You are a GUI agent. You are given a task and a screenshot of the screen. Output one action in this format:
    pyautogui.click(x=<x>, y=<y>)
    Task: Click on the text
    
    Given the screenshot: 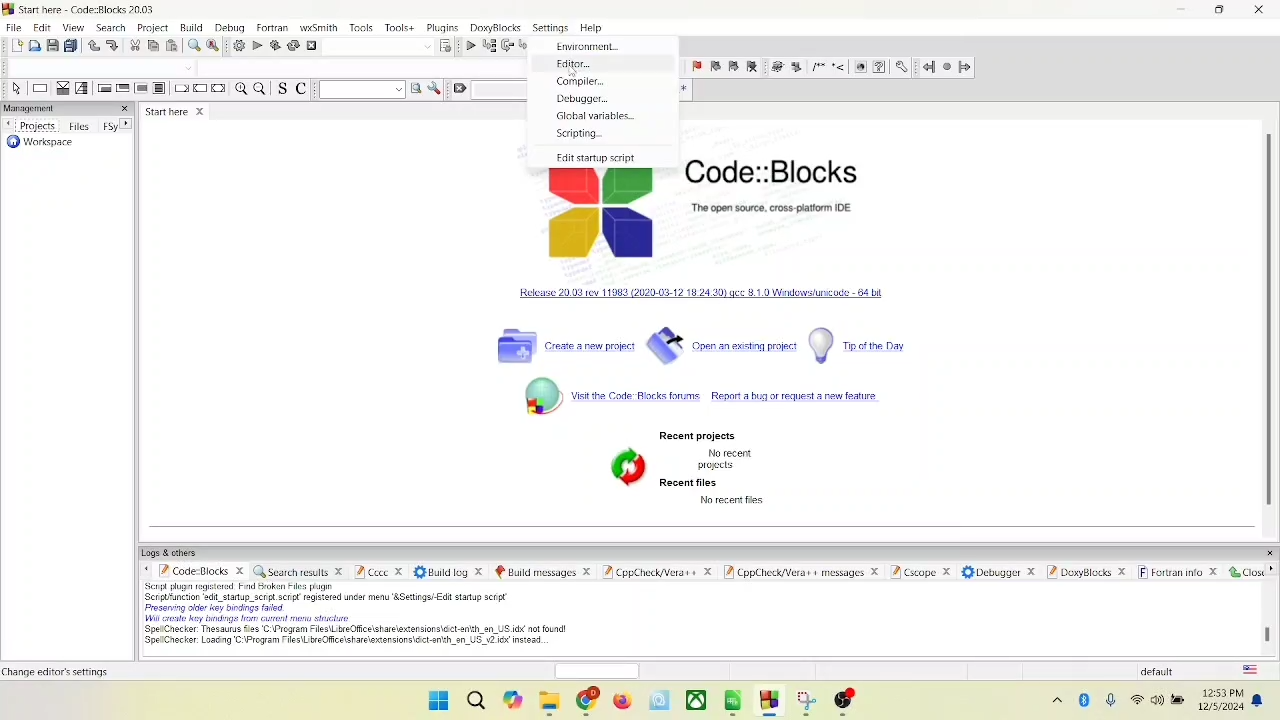 What is the action you would take?
    pyautogui.click(x=734, y=501)
    